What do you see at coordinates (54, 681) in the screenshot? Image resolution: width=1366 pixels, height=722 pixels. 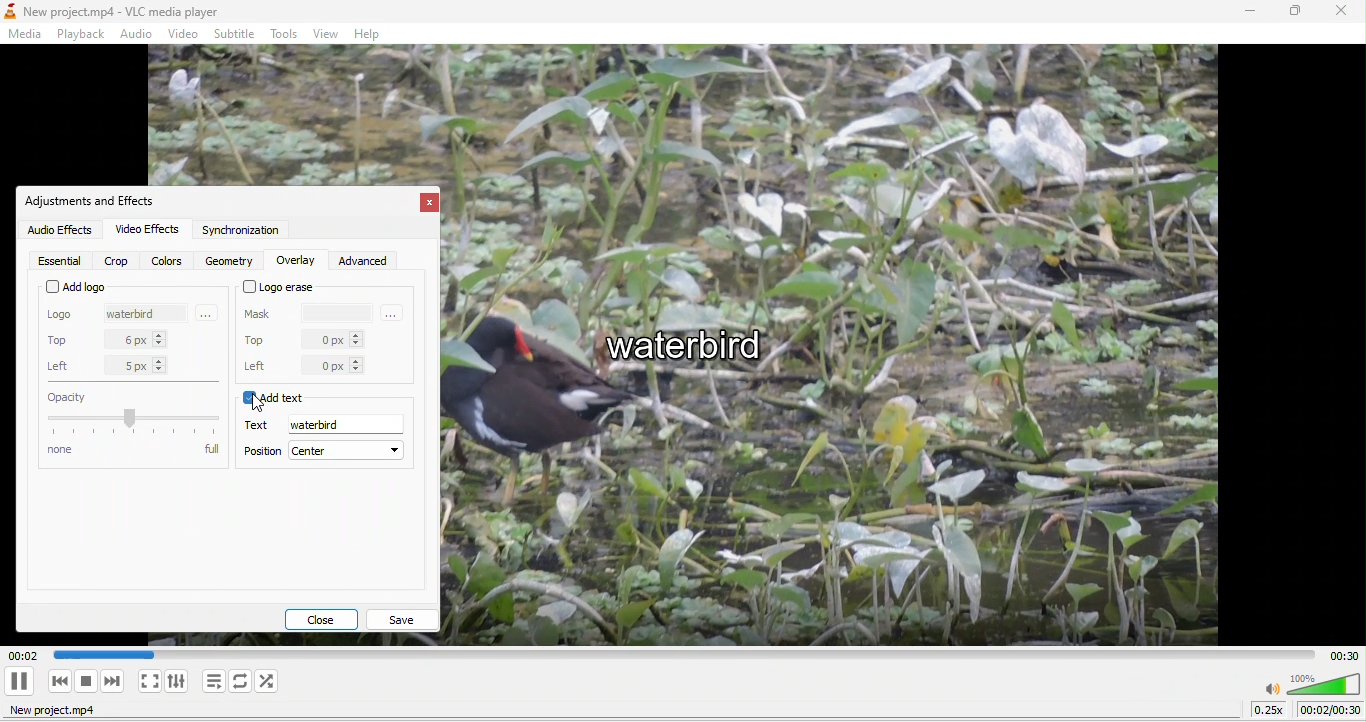 I see `previous media` at bounding box center [54, 681].